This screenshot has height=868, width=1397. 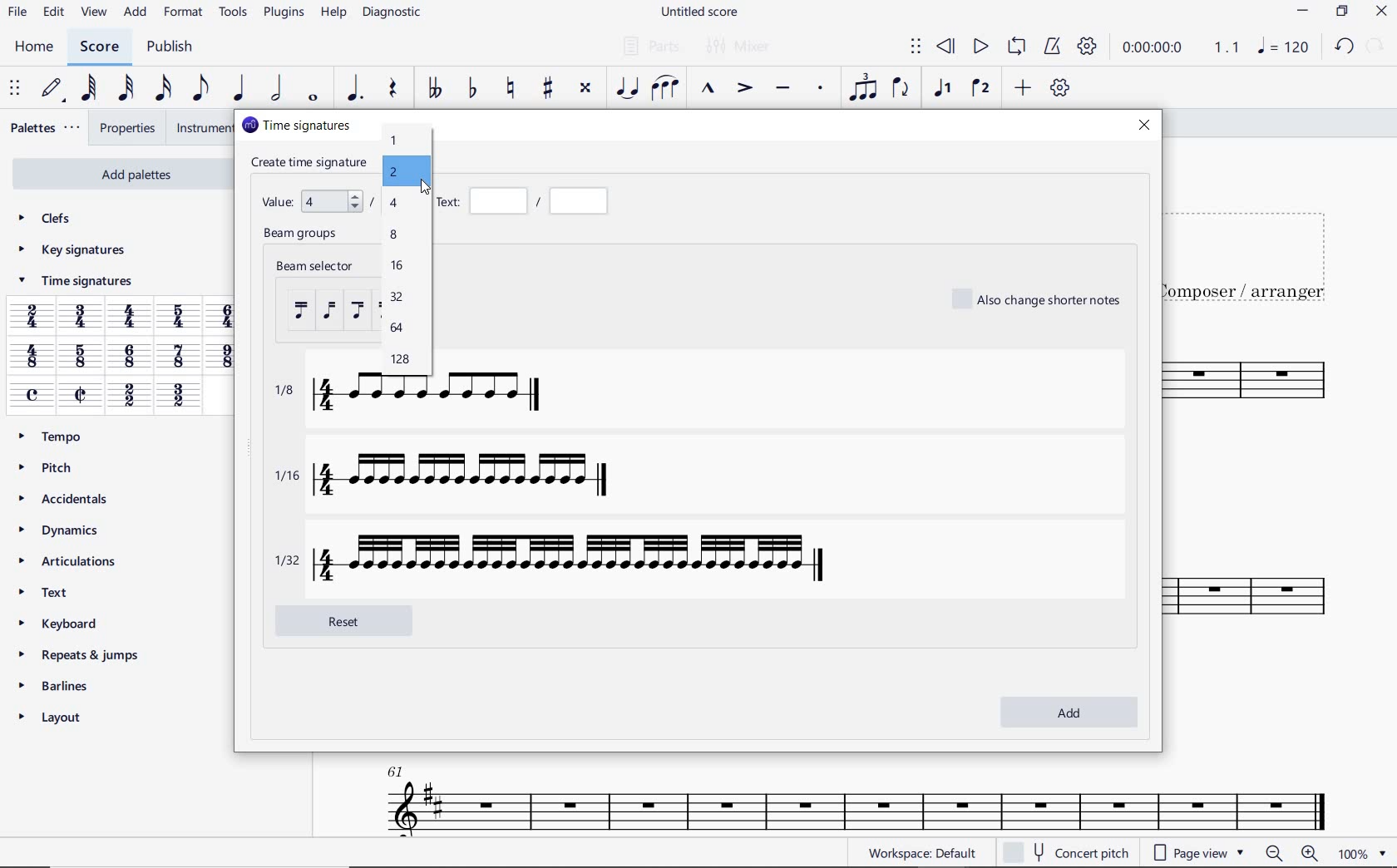 What do you see at coordinates (471, 89) in the screenshot?
I see `TOGGLE FLAT` at bounding box center [471, 89].